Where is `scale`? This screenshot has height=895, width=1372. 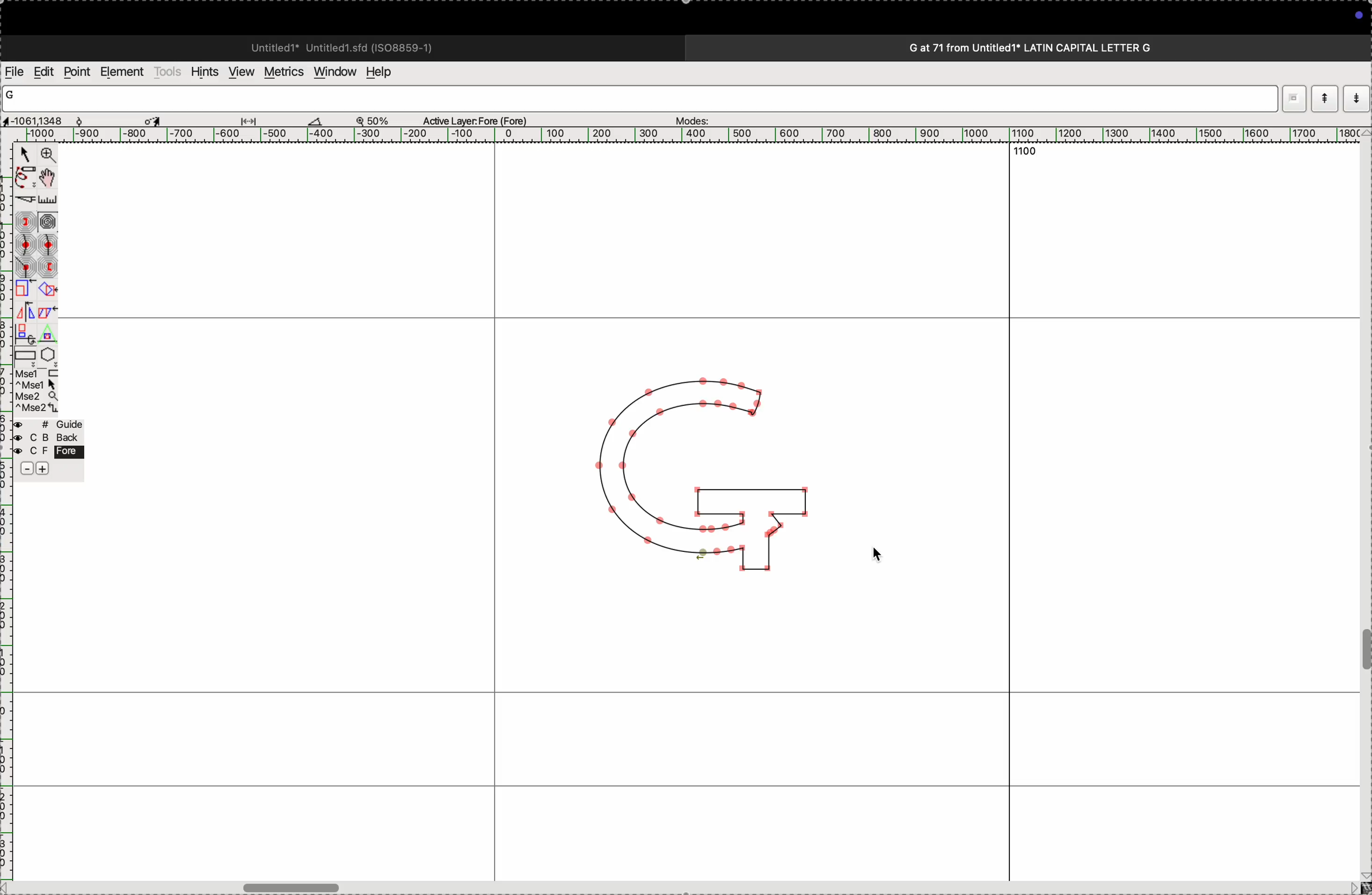 scale is located at coordinates (692, 134).